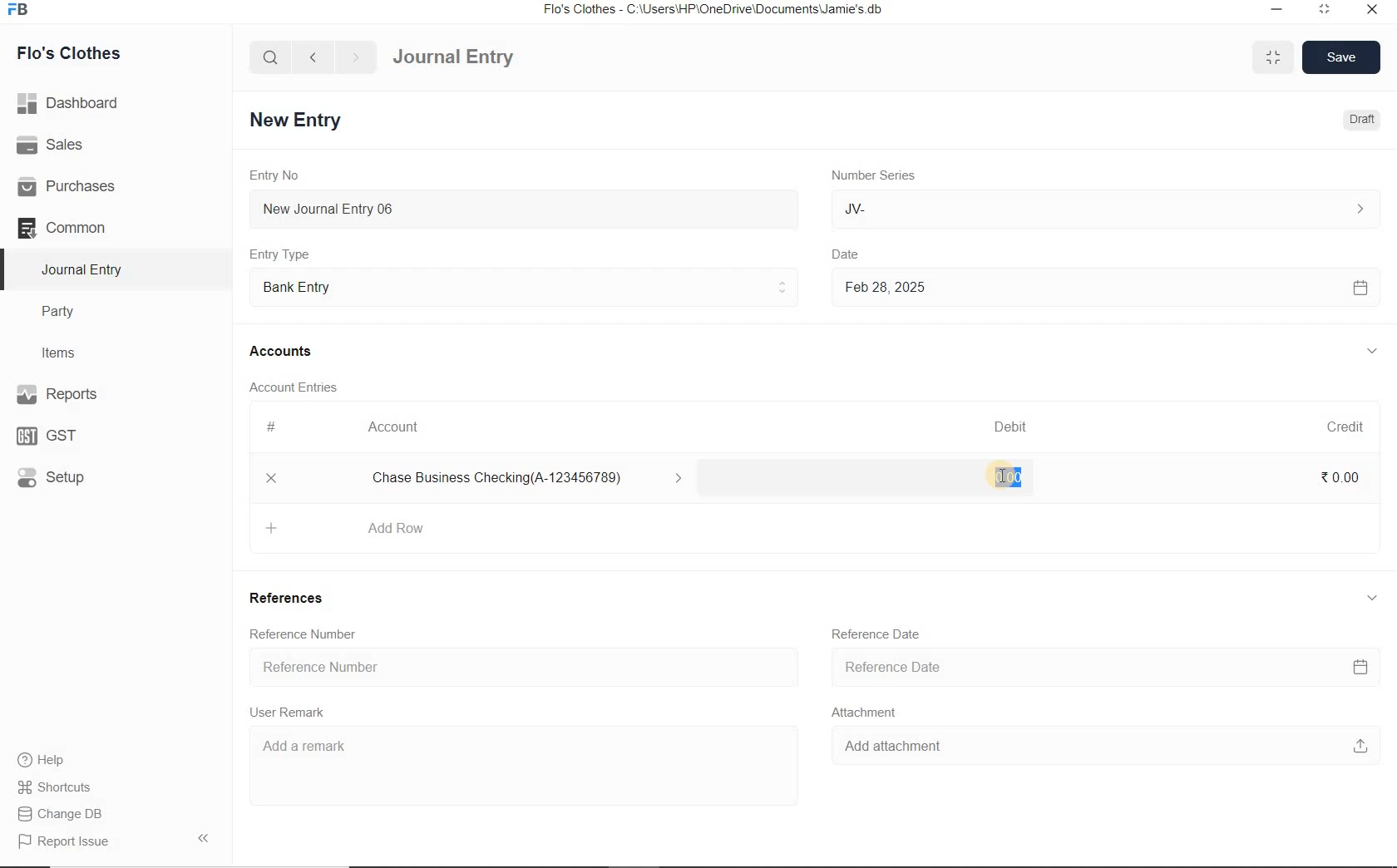  I want to click on Number Series, so click(871, 175).